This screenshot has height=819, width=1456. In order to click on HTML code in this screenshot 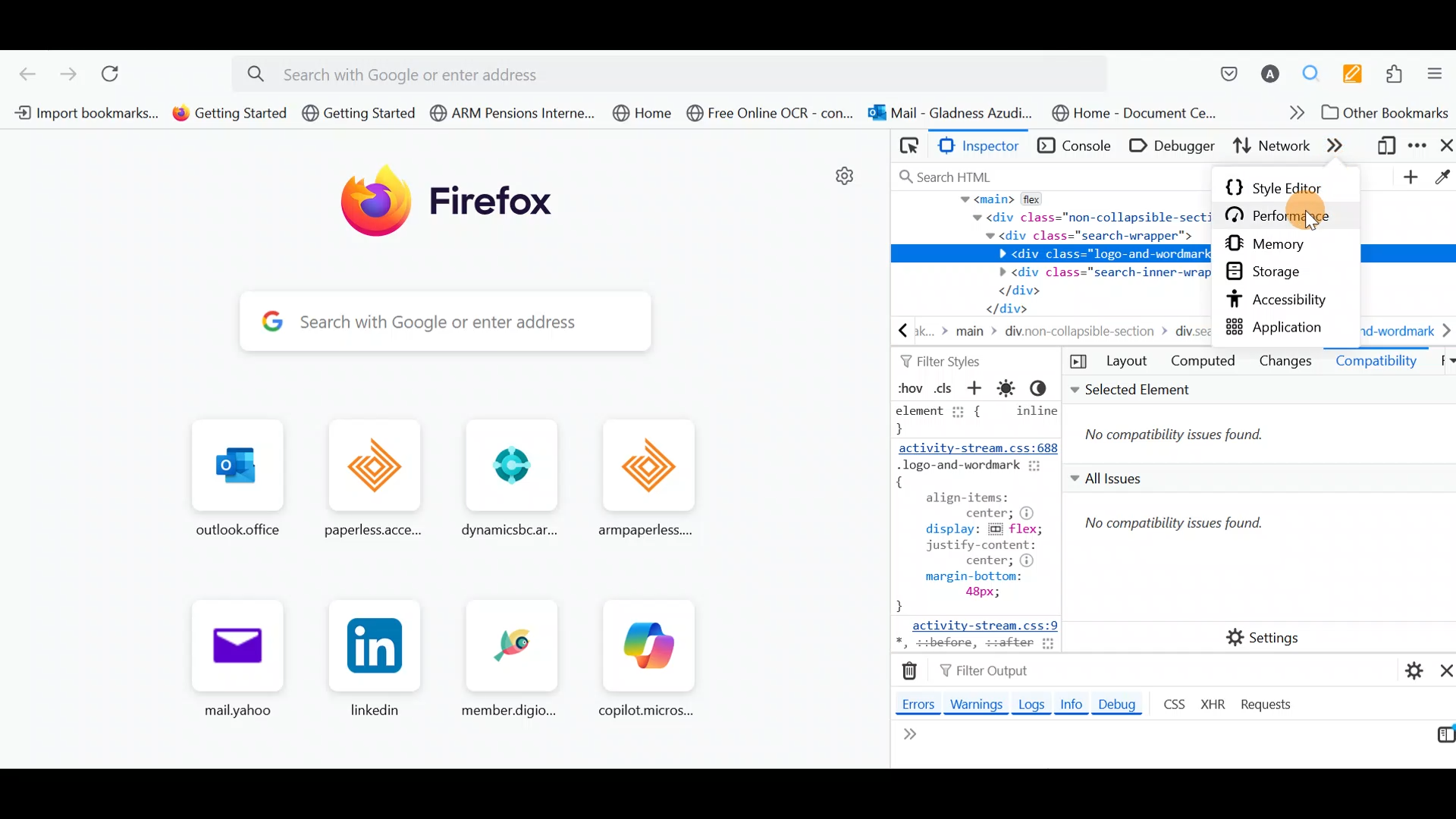, I will do `click(973, 527)`.